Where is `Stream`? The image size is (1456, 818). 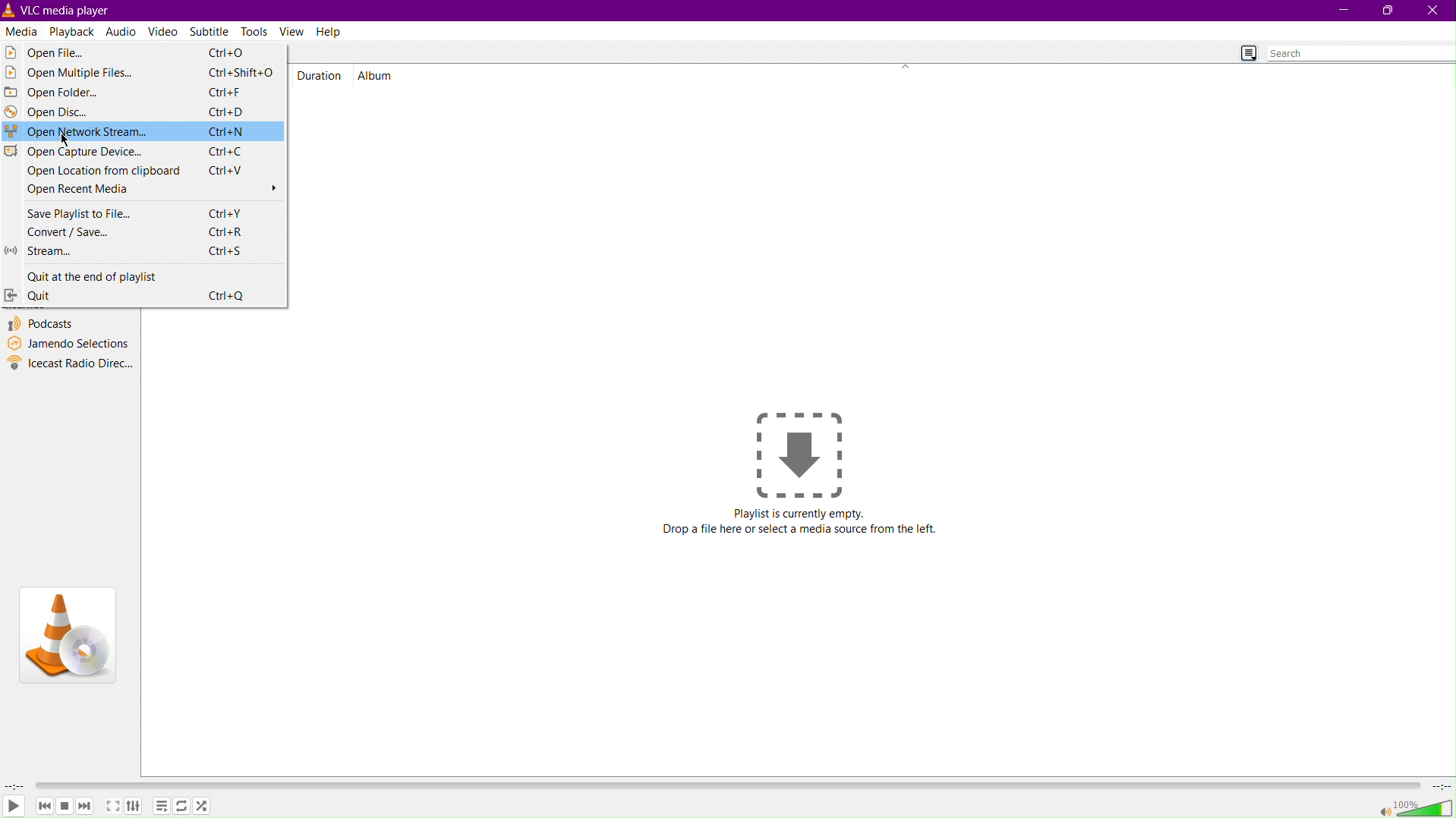
Stream is located at coordinates (69, 253).